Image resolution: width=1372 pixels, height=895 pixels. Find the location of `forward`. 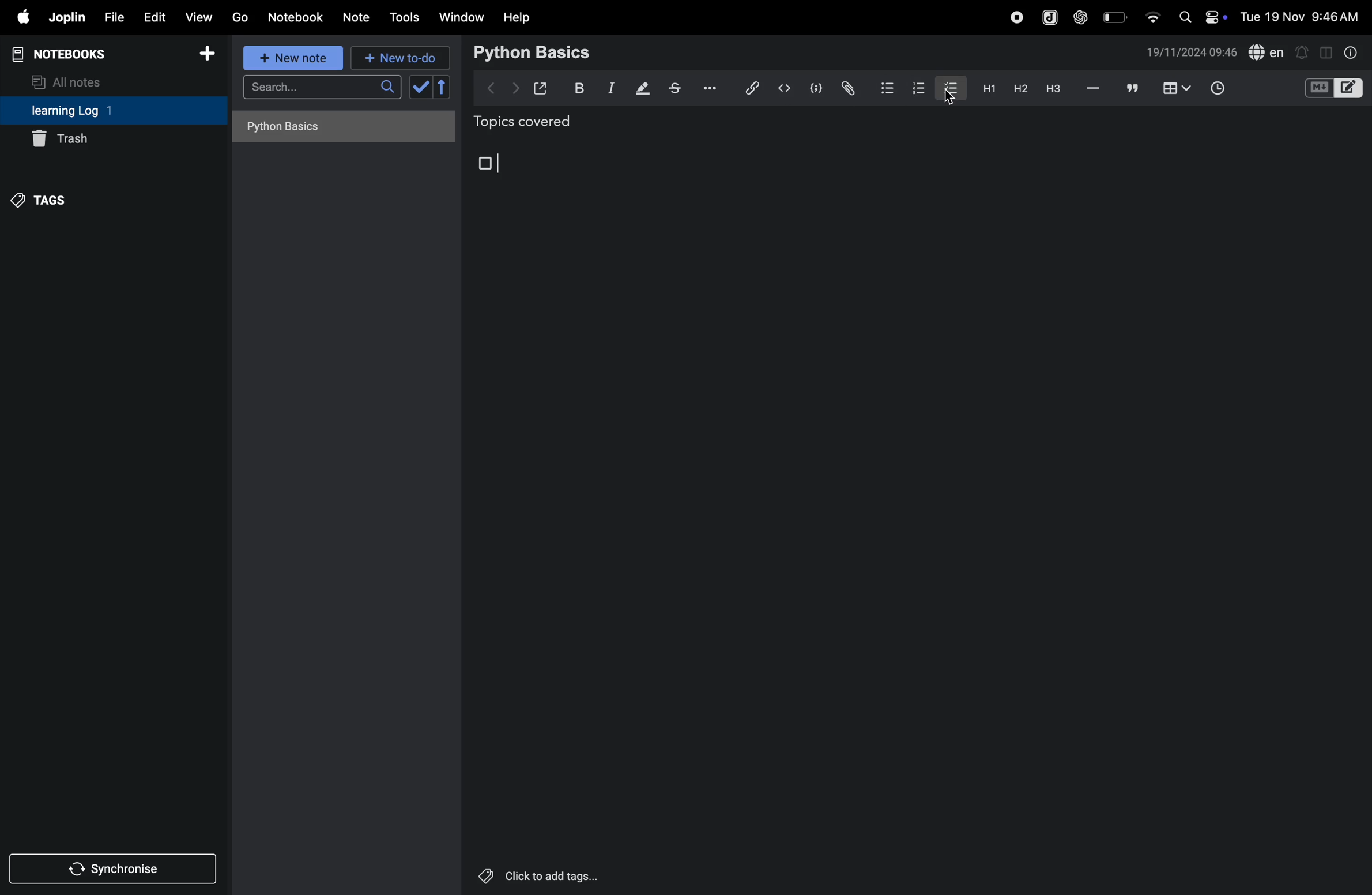

forward is located at coordinates (515, 88).